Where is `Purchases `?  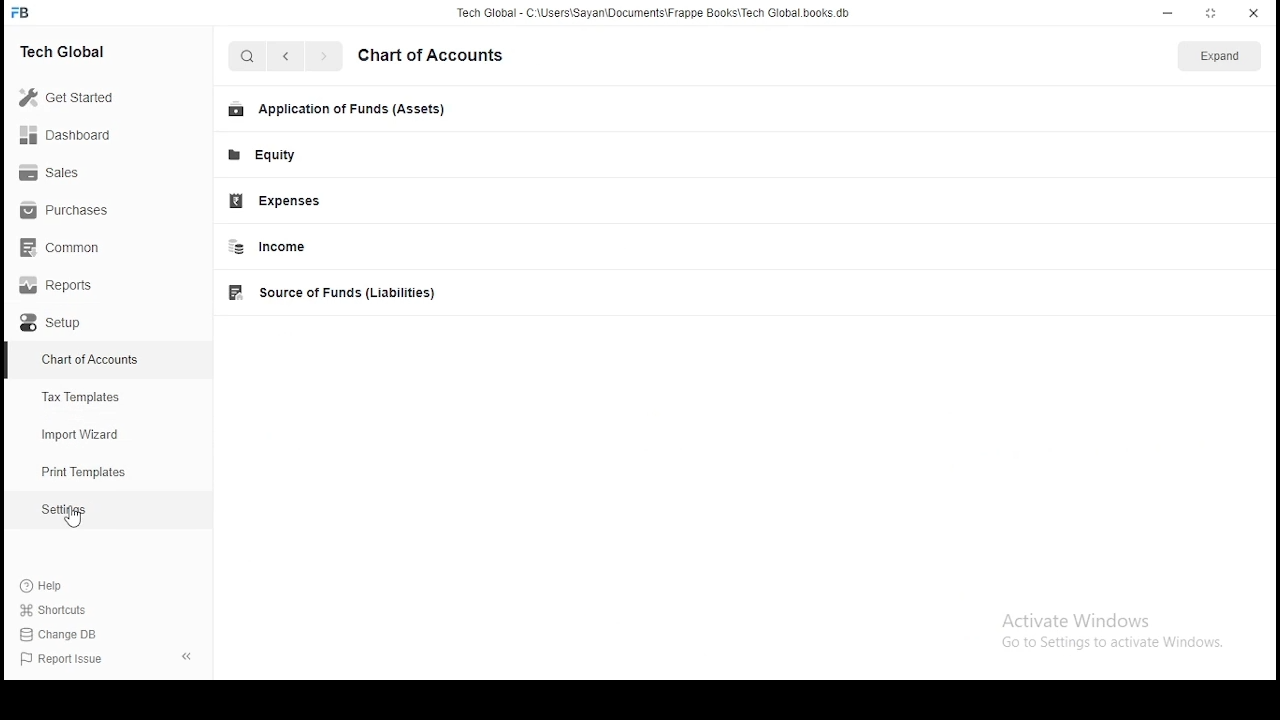
Purchases  is located at coordinates (80, 214).